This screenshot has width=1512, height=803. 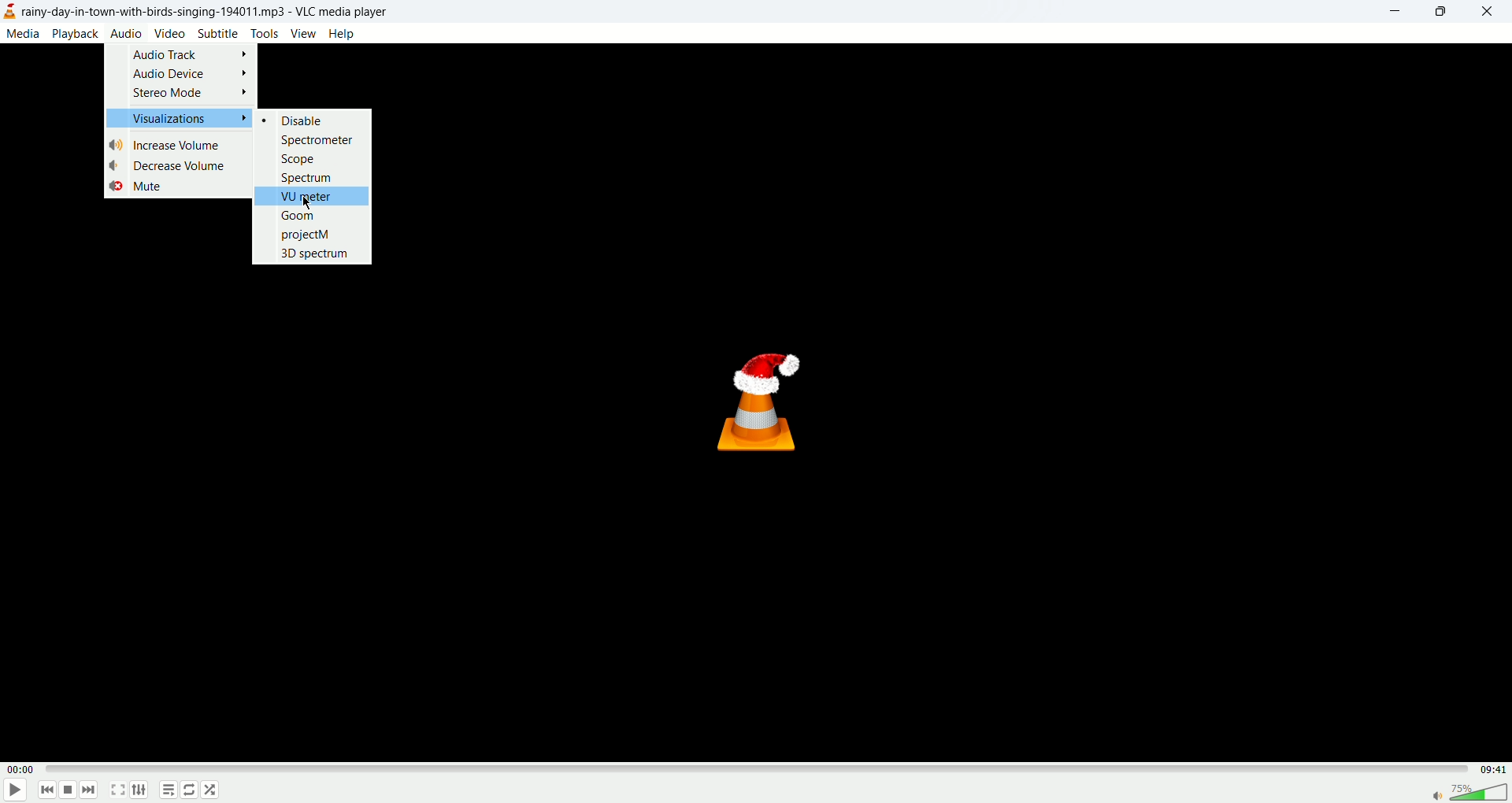 What do you see at coordinates (1392, 13) in the screenshot?
I see `minimize` at bounding box center [1392, 13].